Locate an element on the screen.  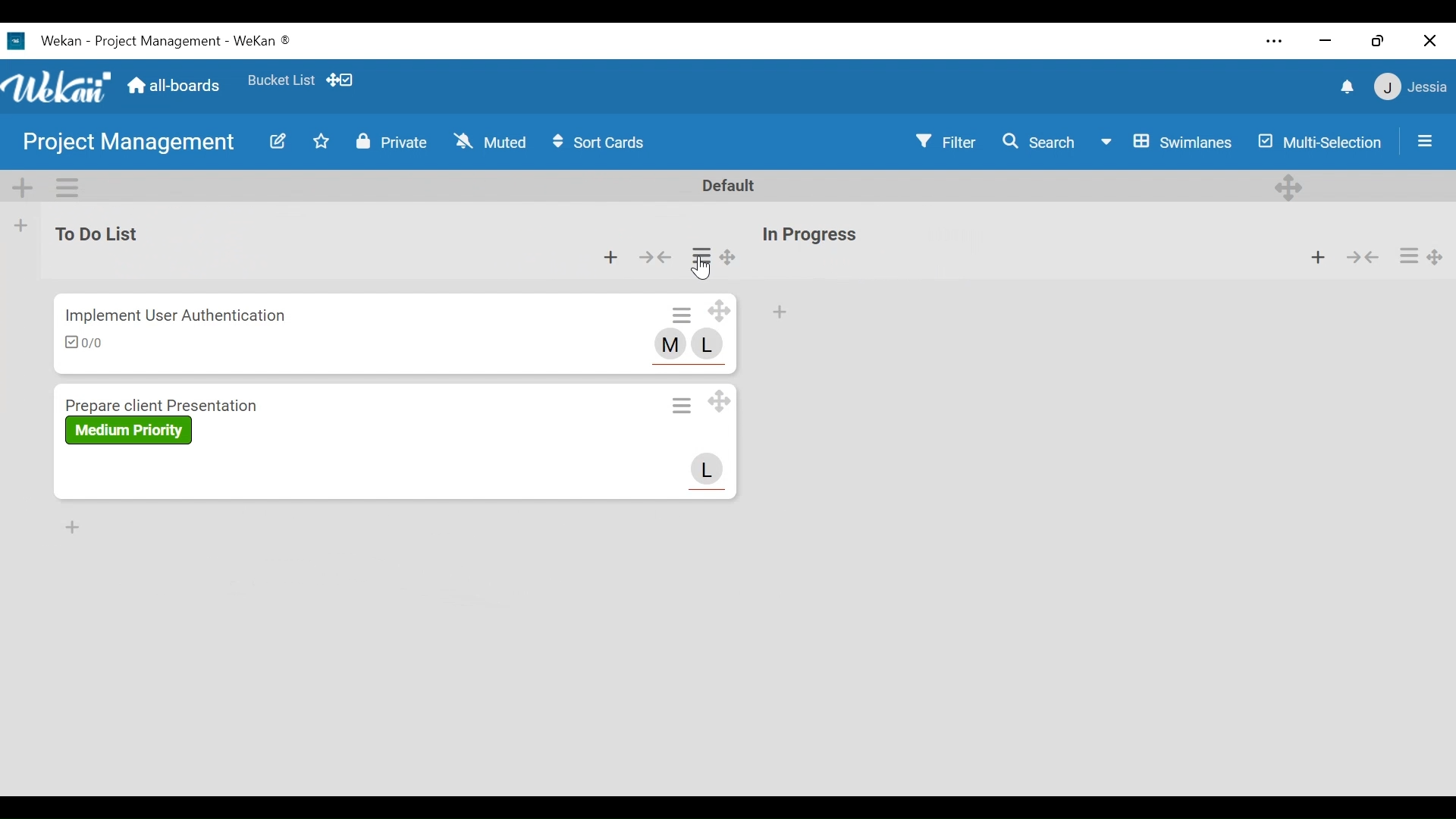
Private is located at coordinates (394, 143).